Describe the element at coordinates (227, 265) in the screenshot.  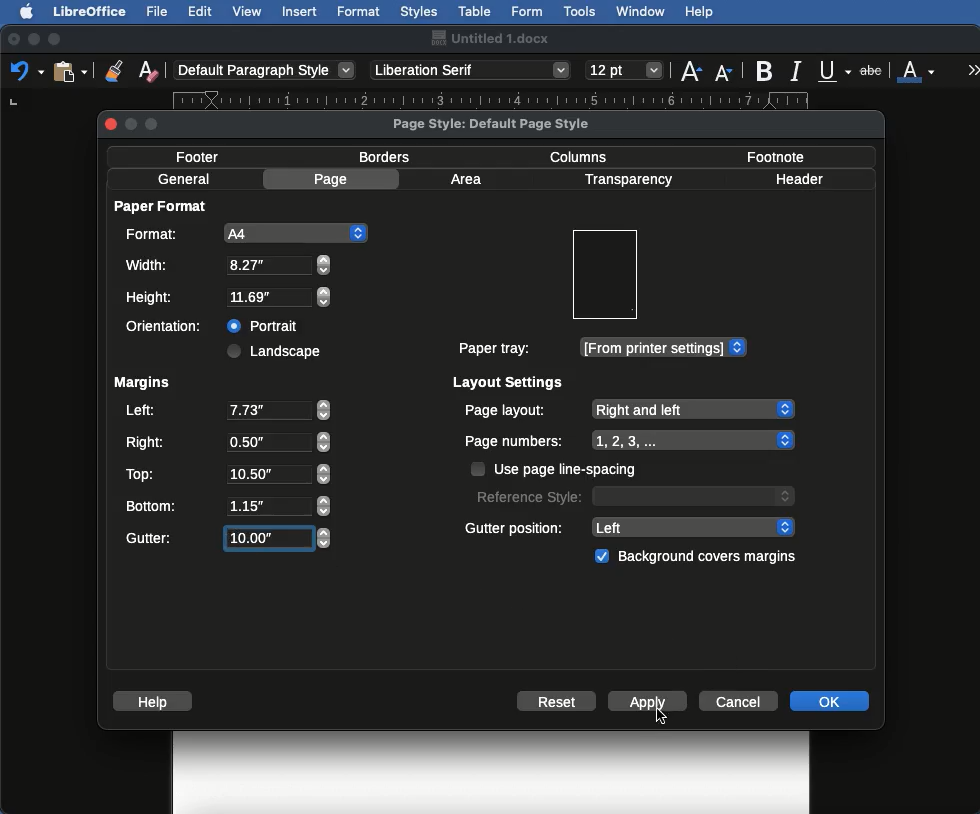
I see `Width` at that location.